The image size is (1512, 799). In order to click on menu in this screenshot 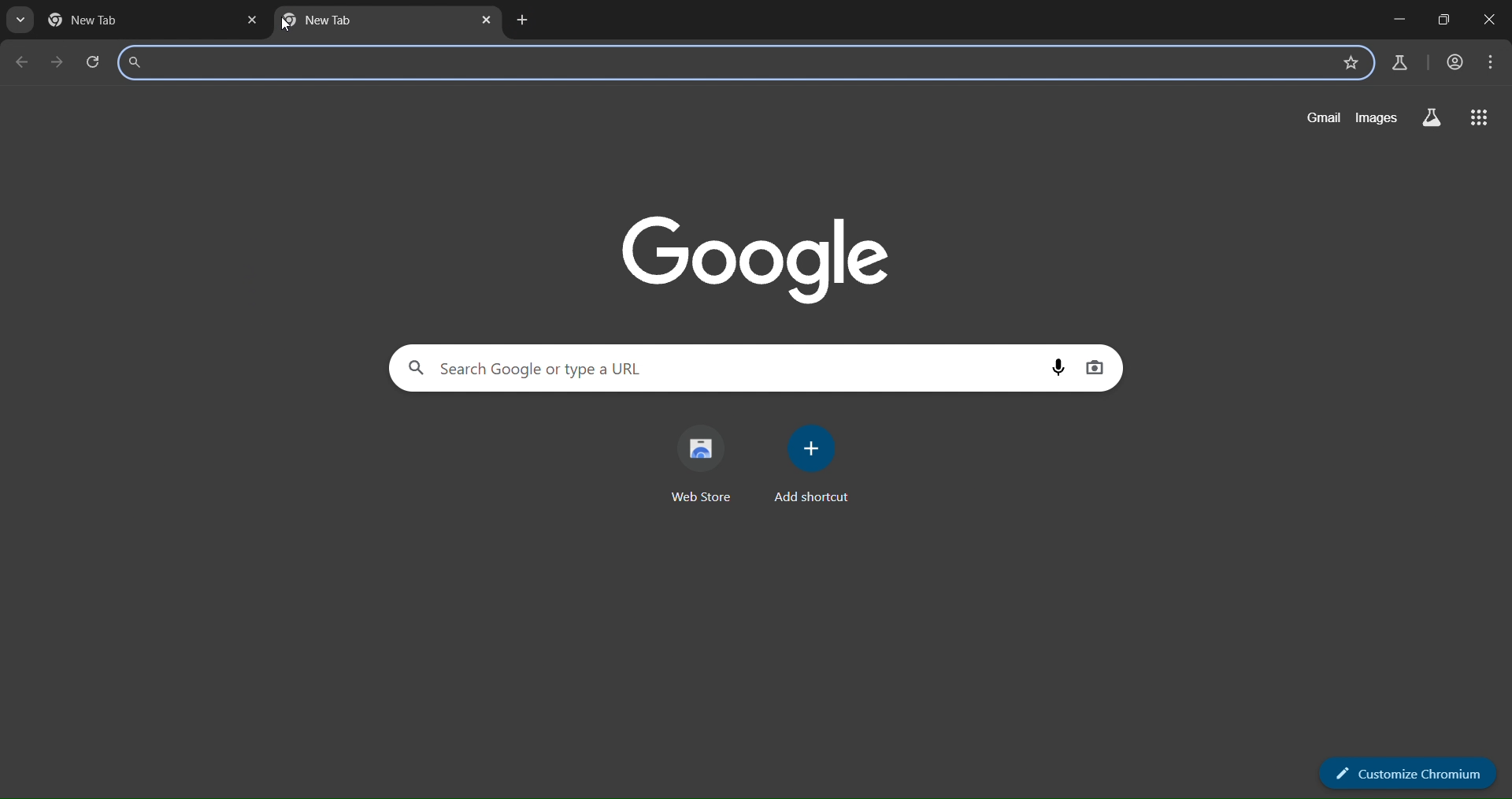, I will do `click(1490, 62)`.